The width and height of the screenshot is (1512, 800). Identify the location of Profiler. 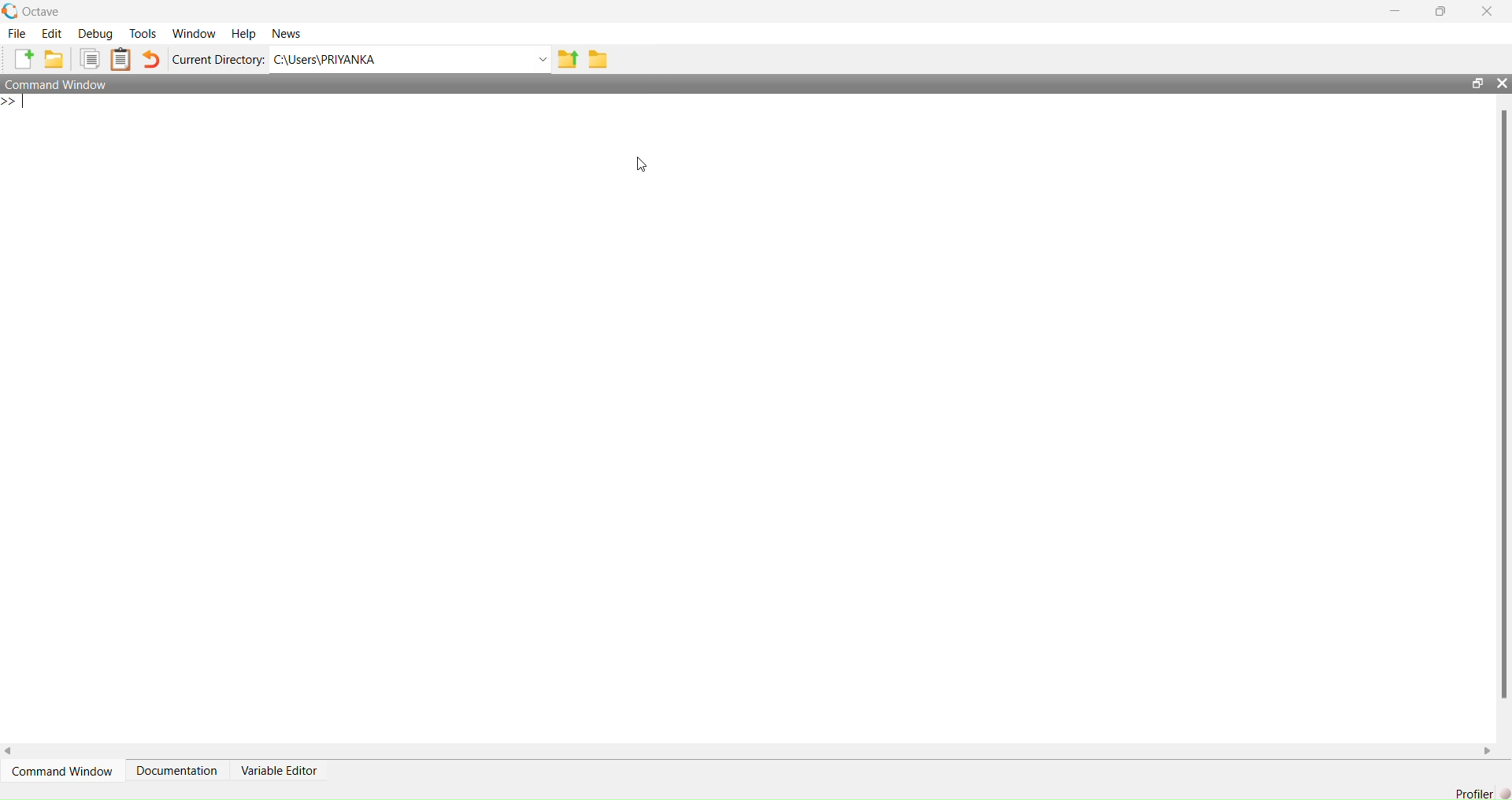
(1482, 793).